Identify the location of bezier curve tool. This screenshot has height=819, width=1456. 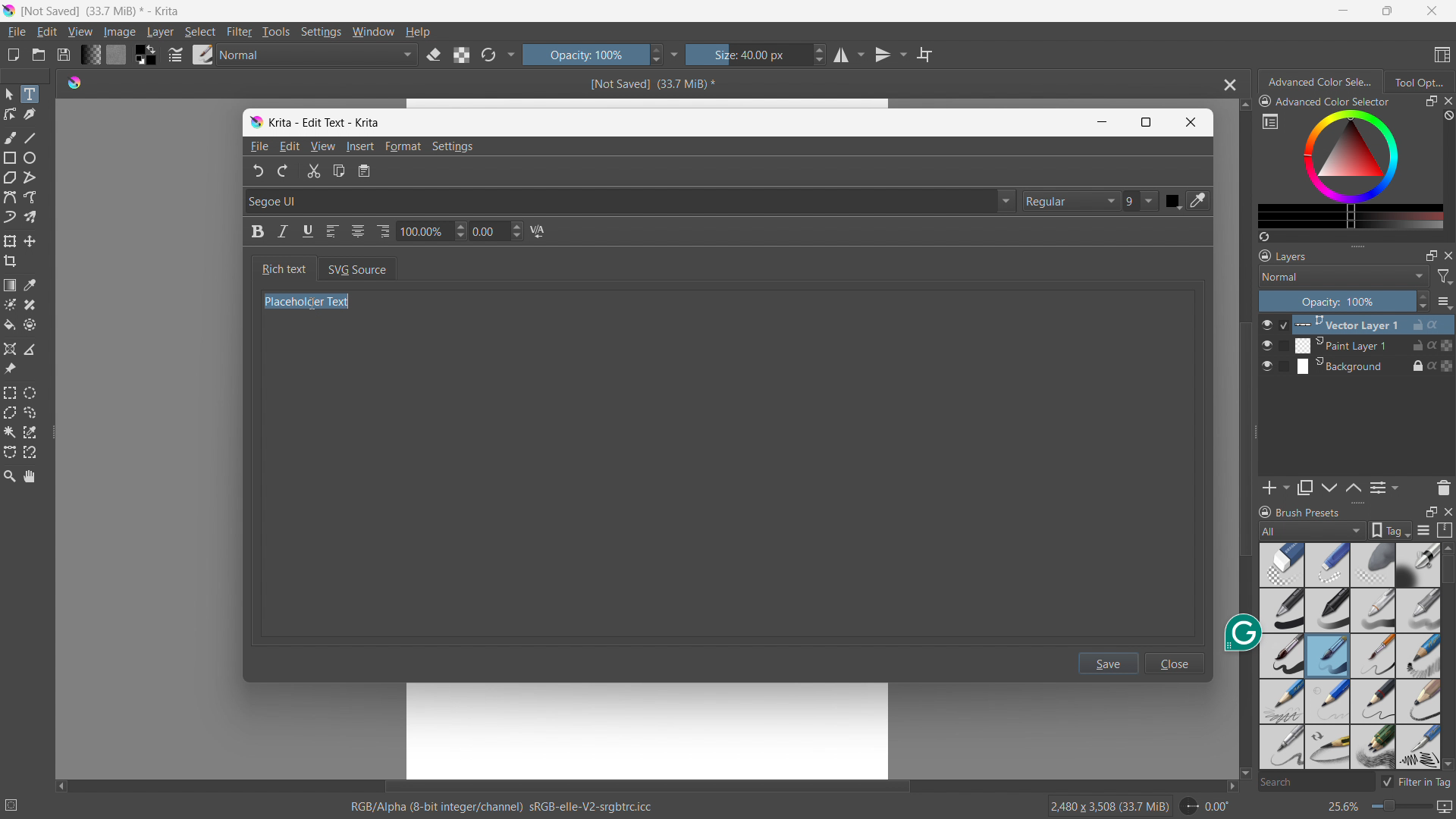
(10, 197).